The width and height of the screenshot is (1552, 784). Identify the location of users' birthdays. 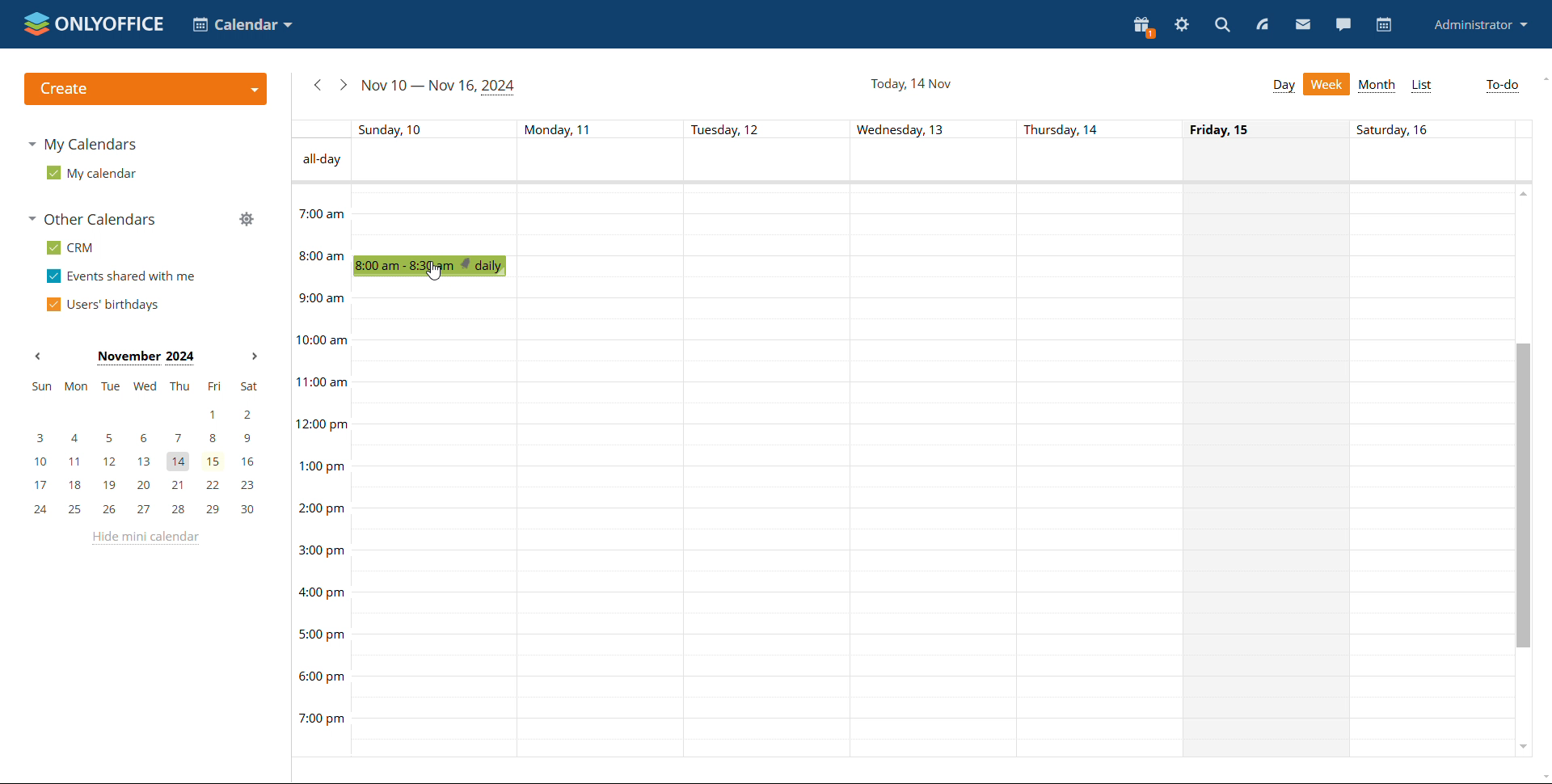
(102, 304).